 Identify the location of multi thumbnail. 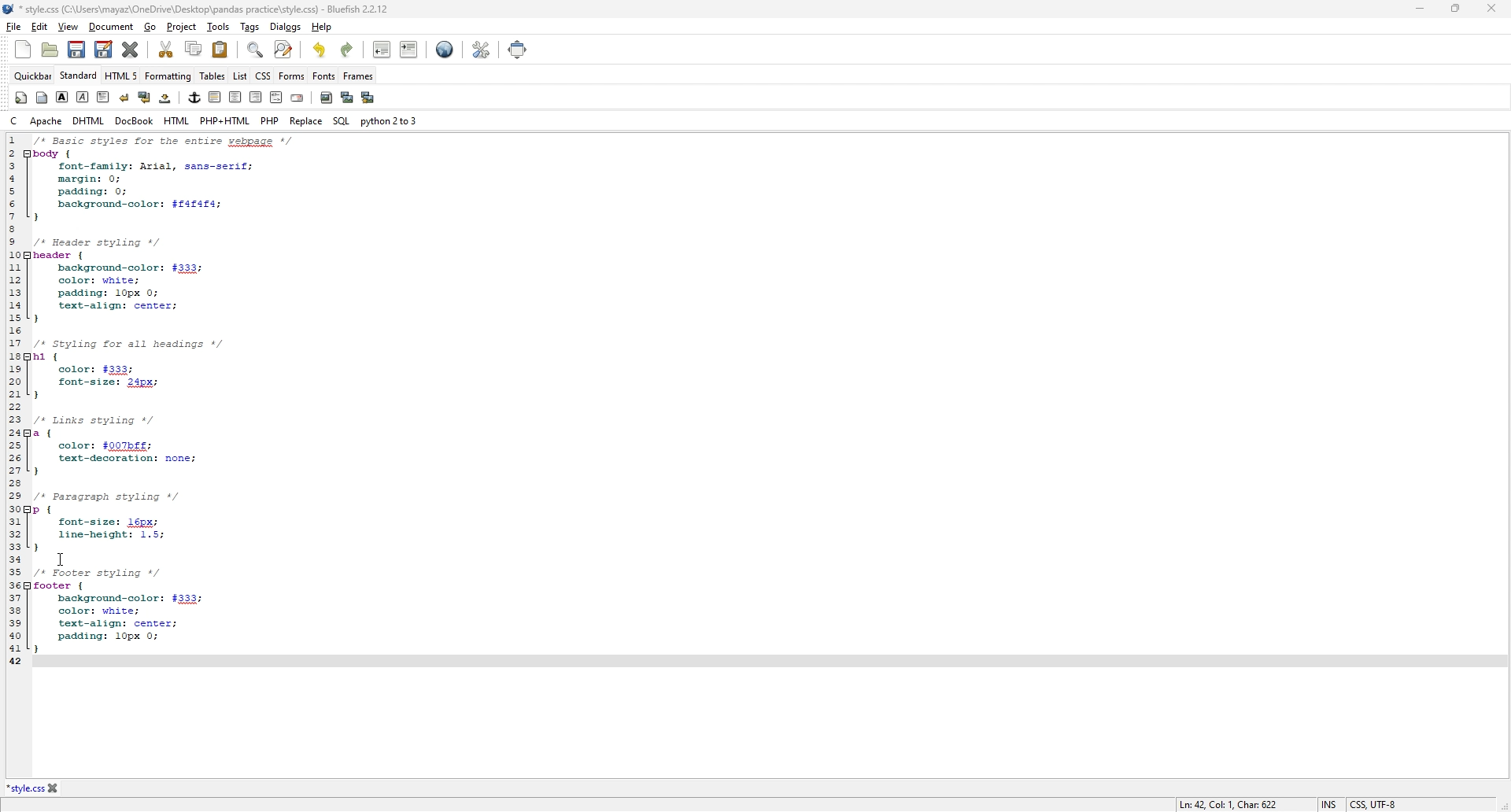
(368, 98).